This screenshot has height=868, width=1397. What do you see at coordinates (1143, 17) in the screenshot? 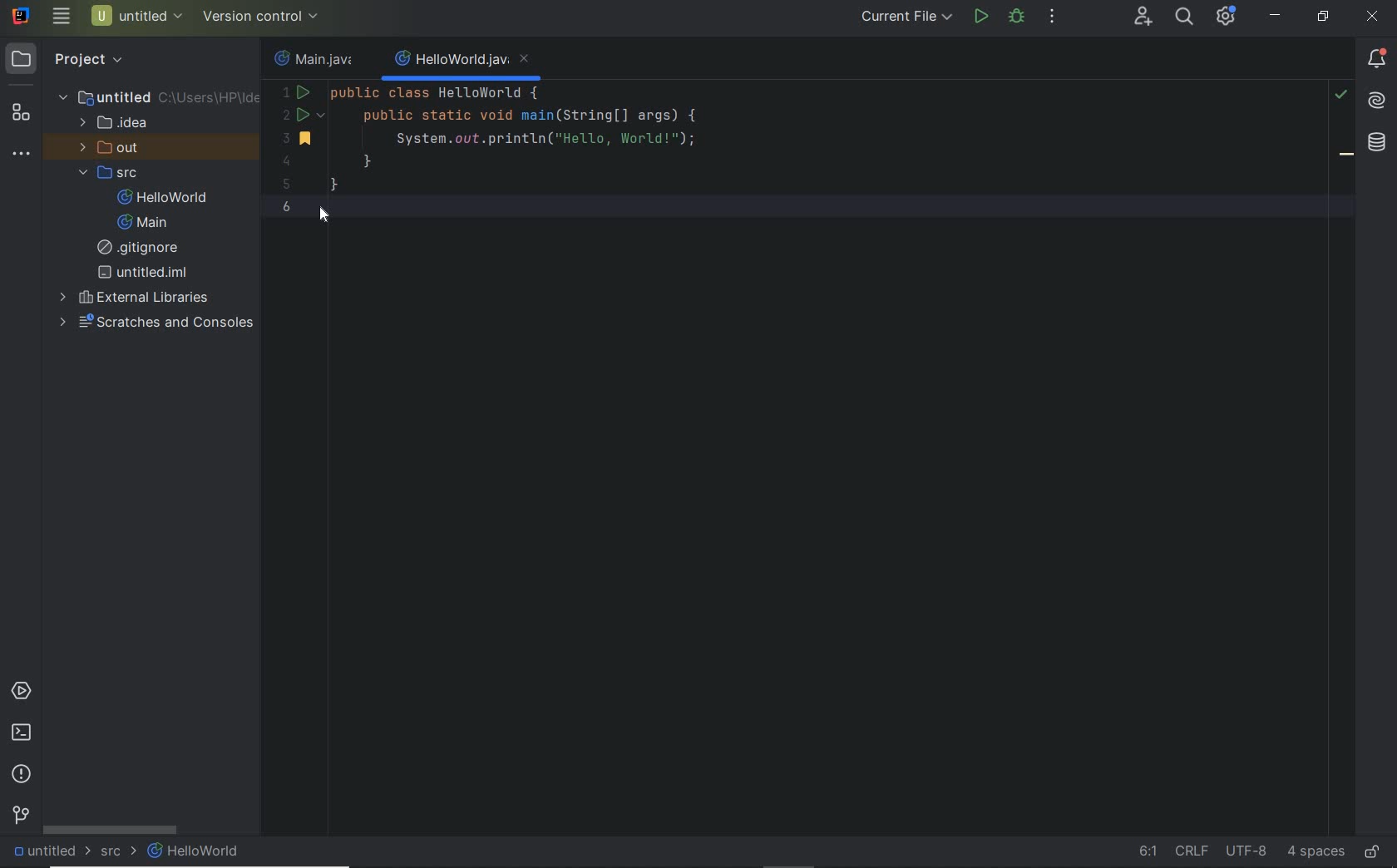
I see `code with me` at bounding box center [1143, 17].